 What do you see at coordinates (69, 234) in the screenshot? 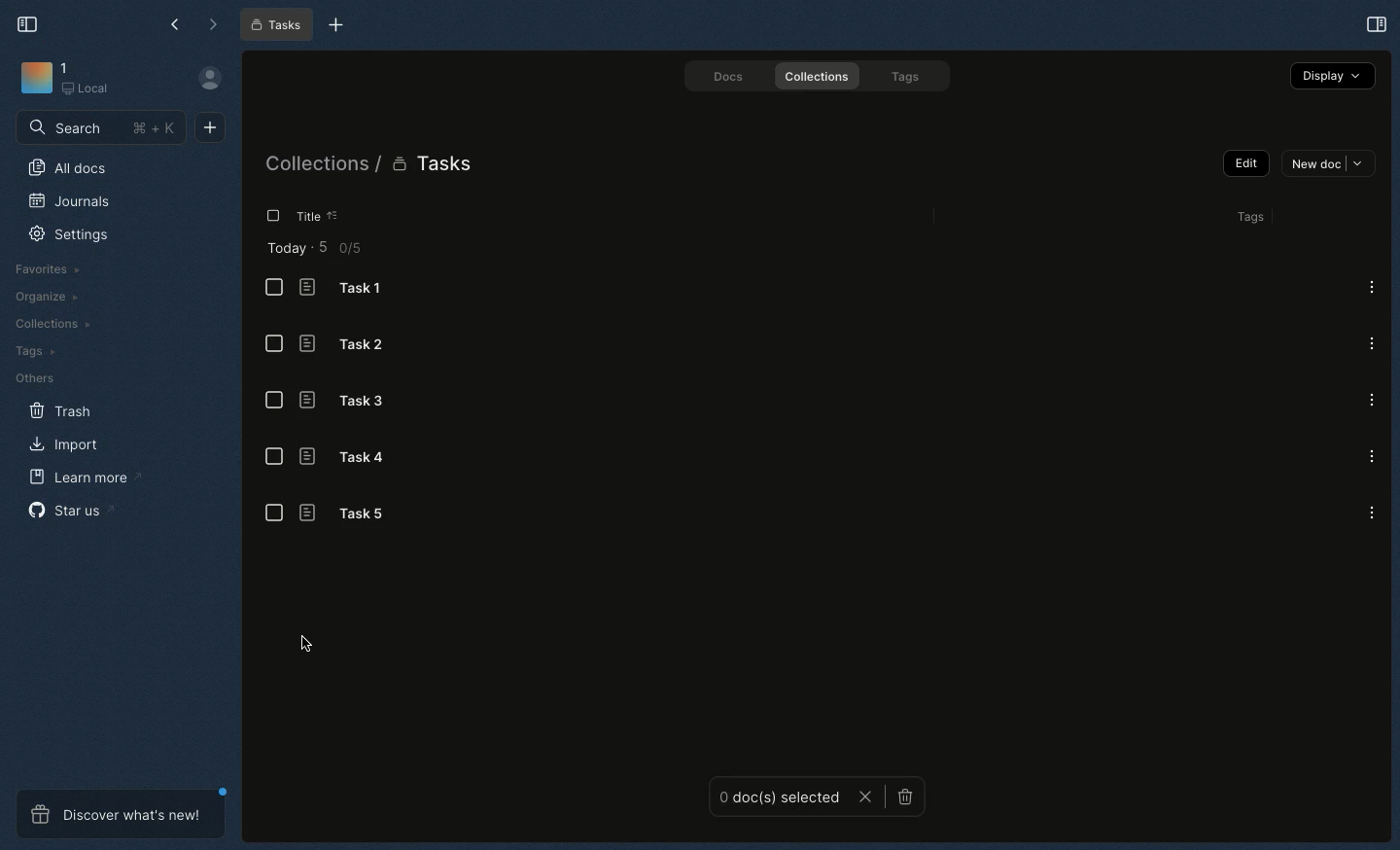
I see `Settings` at bounding box center [69, 234].